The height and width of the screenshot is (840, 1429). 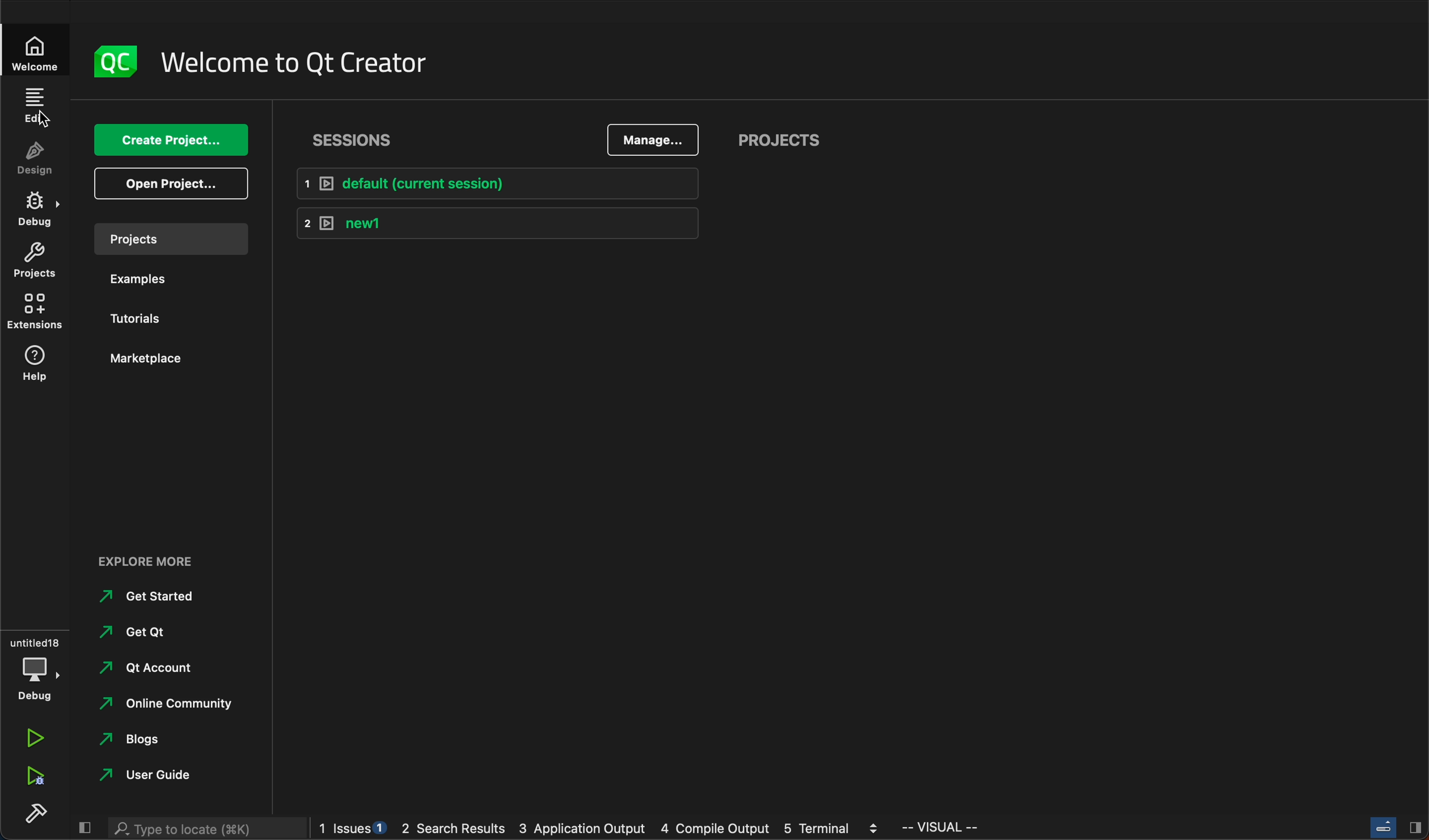 What do you see at coordinates (35, 671) in the screenshot?
I see `debug` at bounding box center [35, 671].